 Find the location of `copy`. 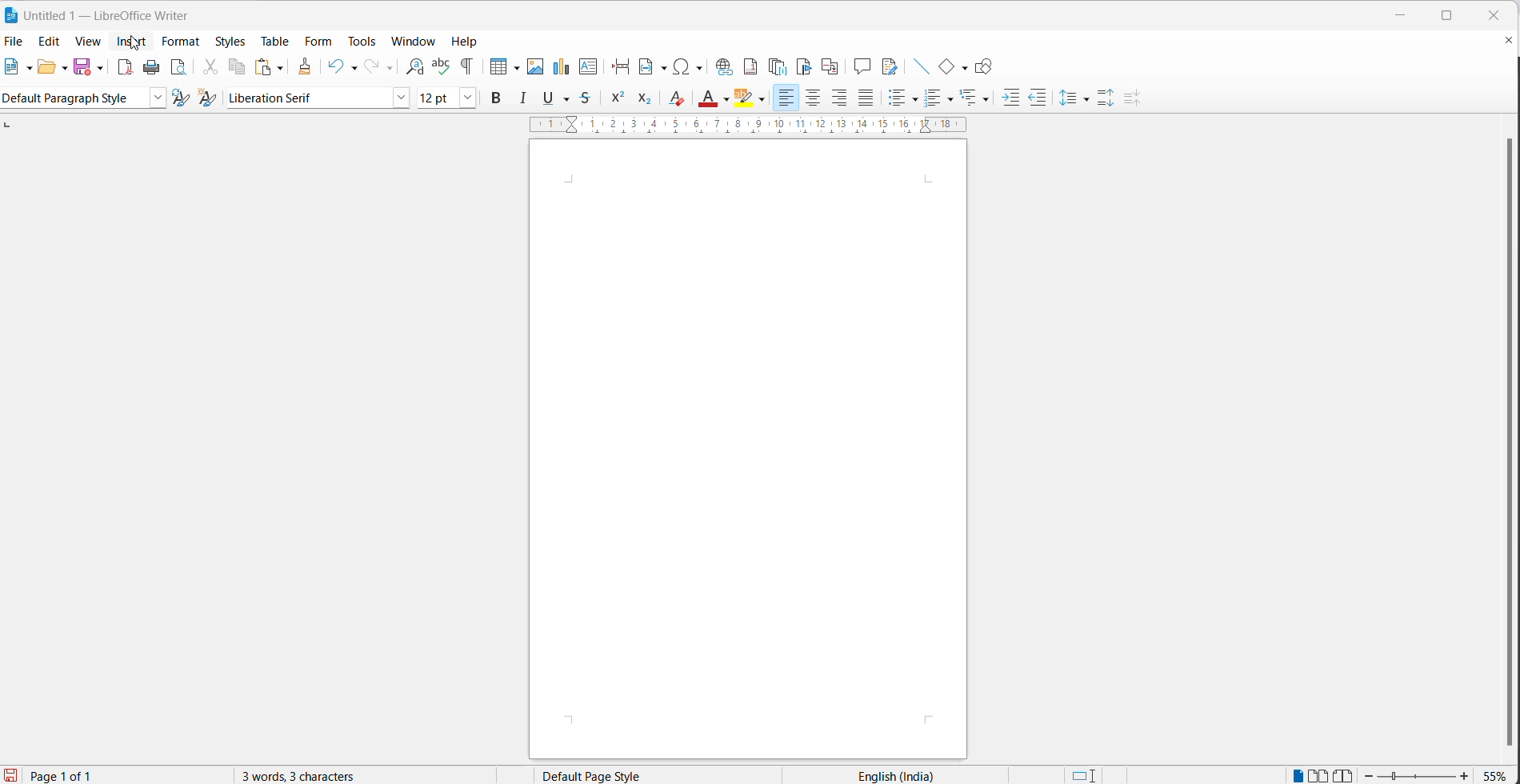

copy is located at coordinates (237, 67).